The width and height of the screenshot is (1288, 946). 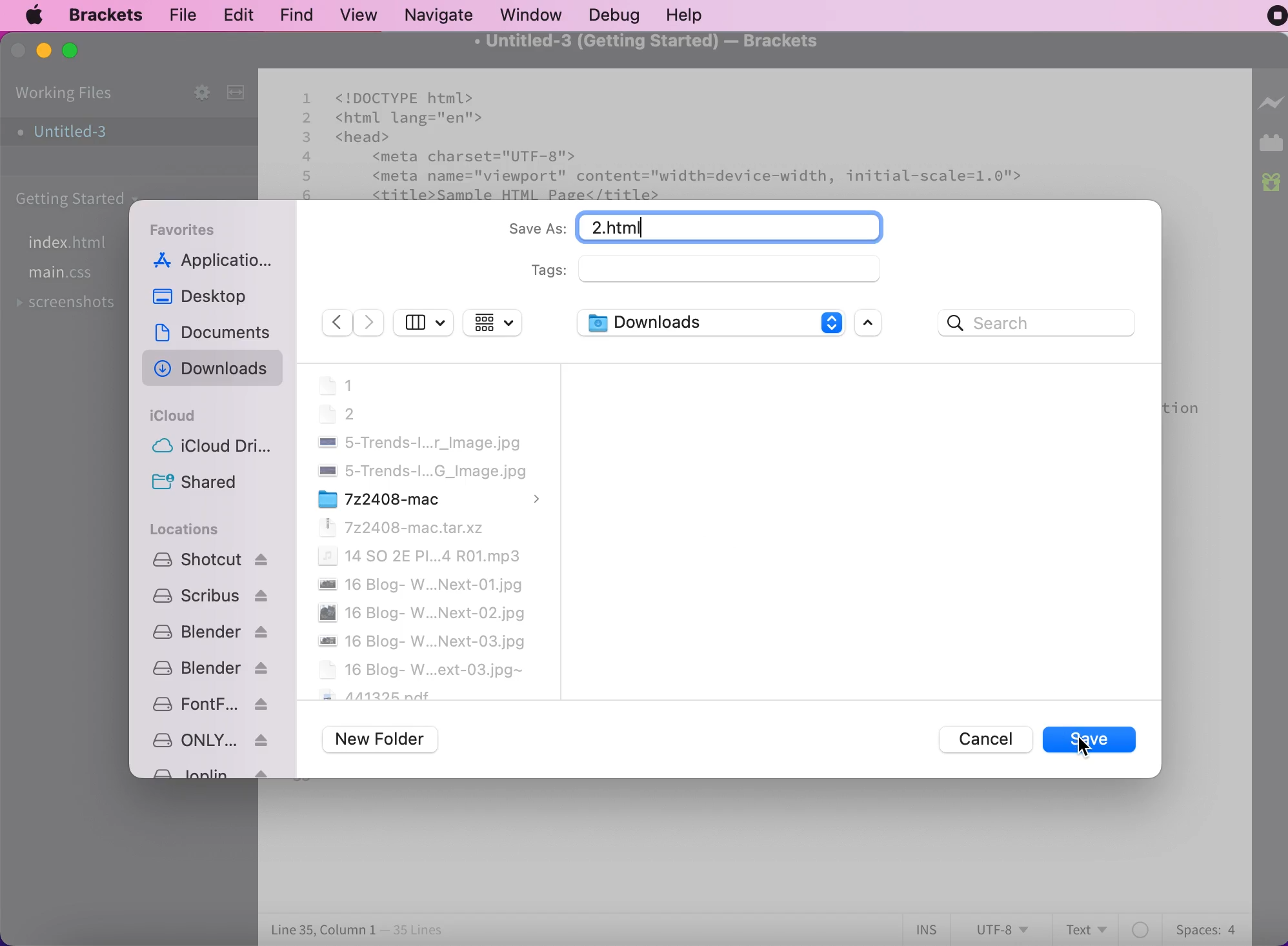 What do you see at coordinates (176, 415) in the screenshot?
I see `icloud` at bounding box center [176, 415].